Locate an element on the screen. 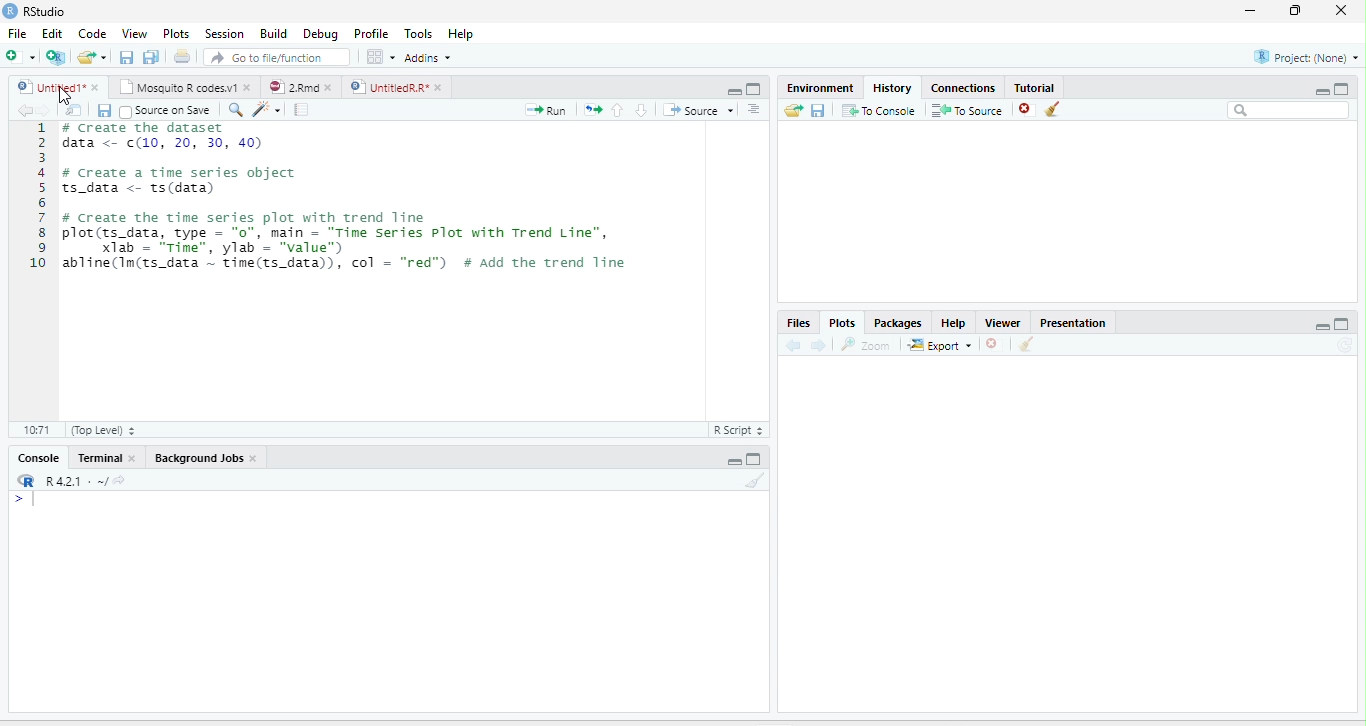 The height and width of the screenshot is (726, 1366). Remove current plot is located at coordinates (996, 343).